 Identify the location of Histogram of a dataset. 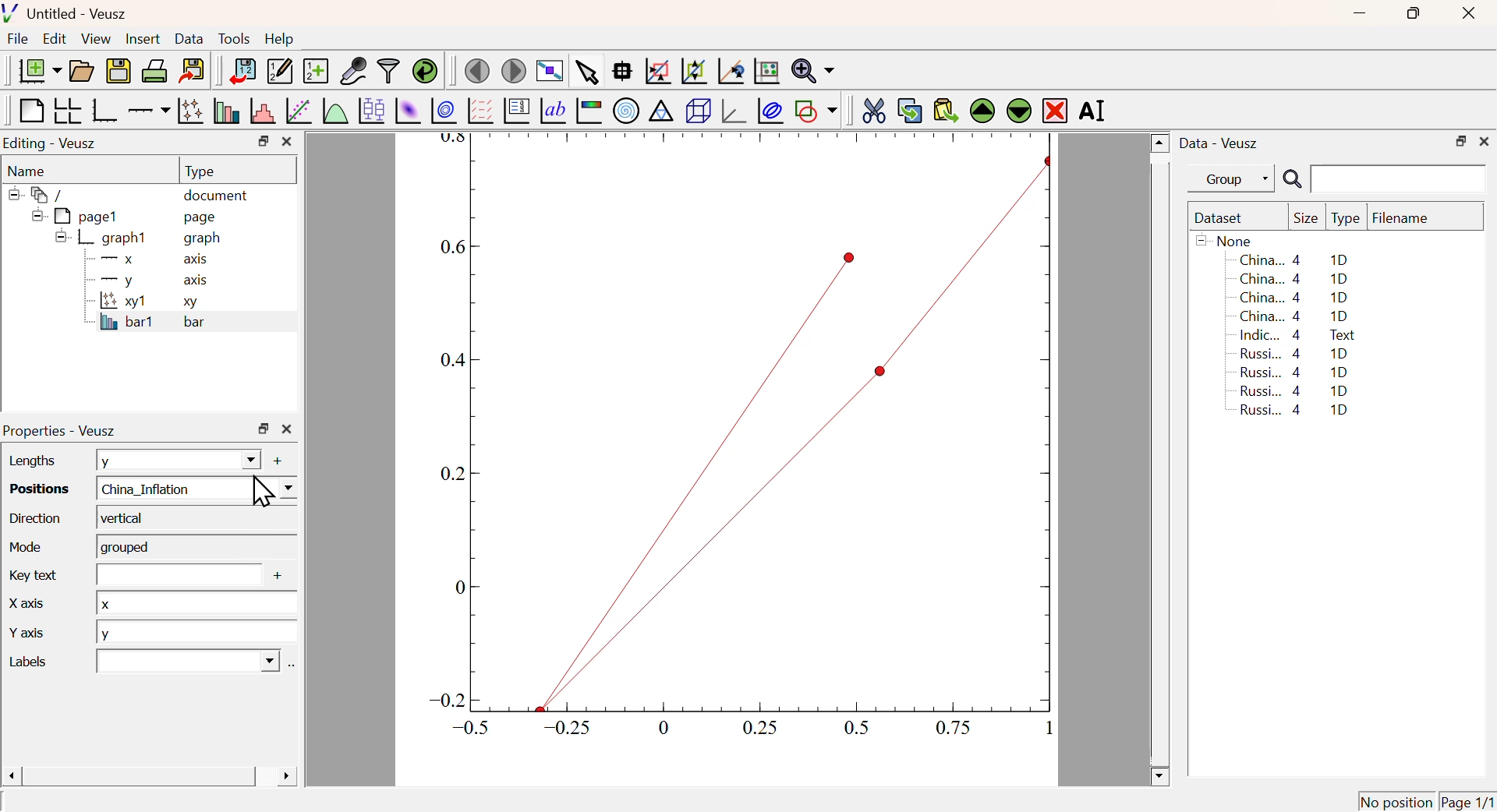
(263, 111).